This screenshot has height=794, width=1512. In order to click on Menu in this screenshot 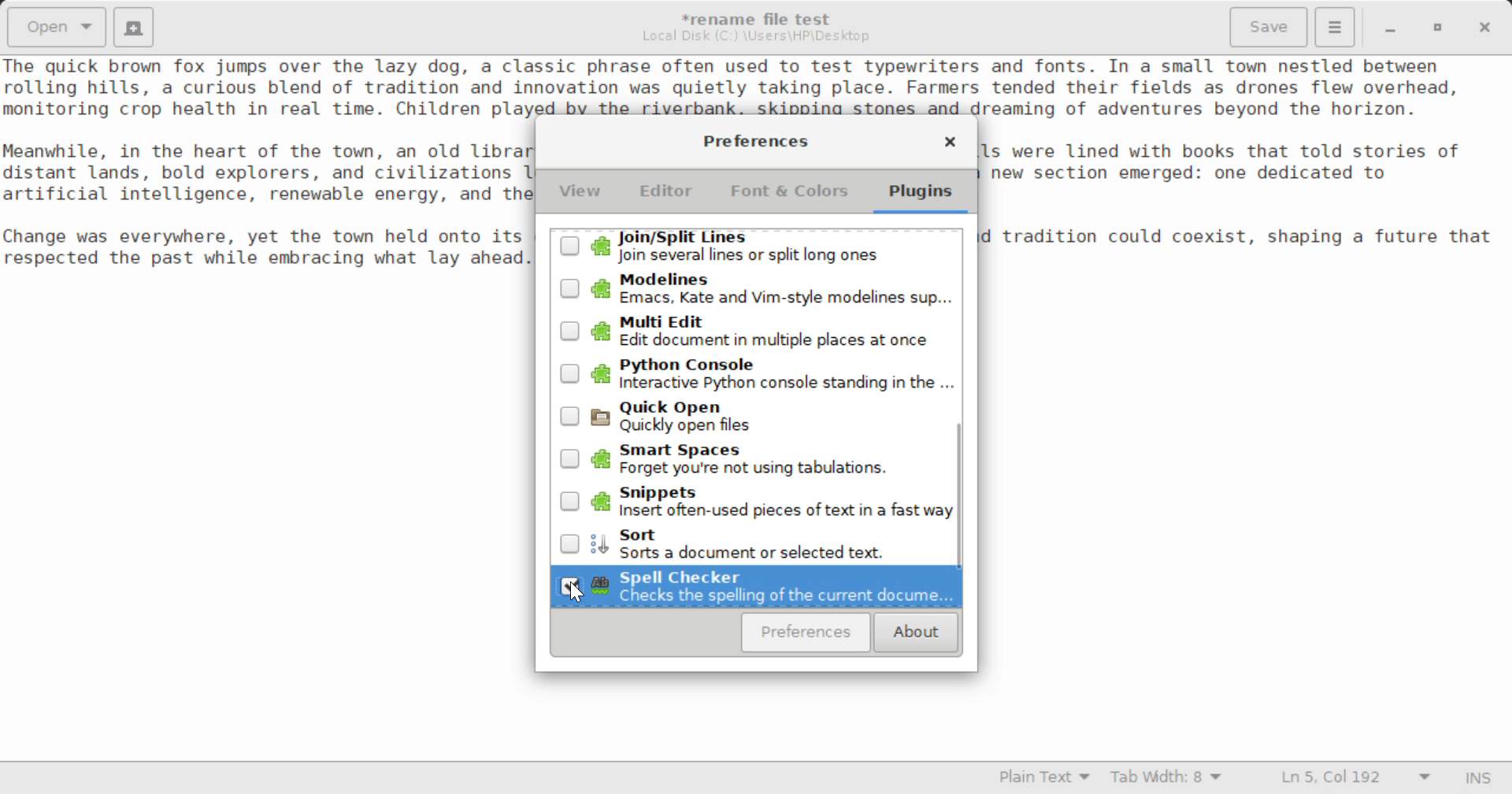, I will do `click(1334, 25)`.